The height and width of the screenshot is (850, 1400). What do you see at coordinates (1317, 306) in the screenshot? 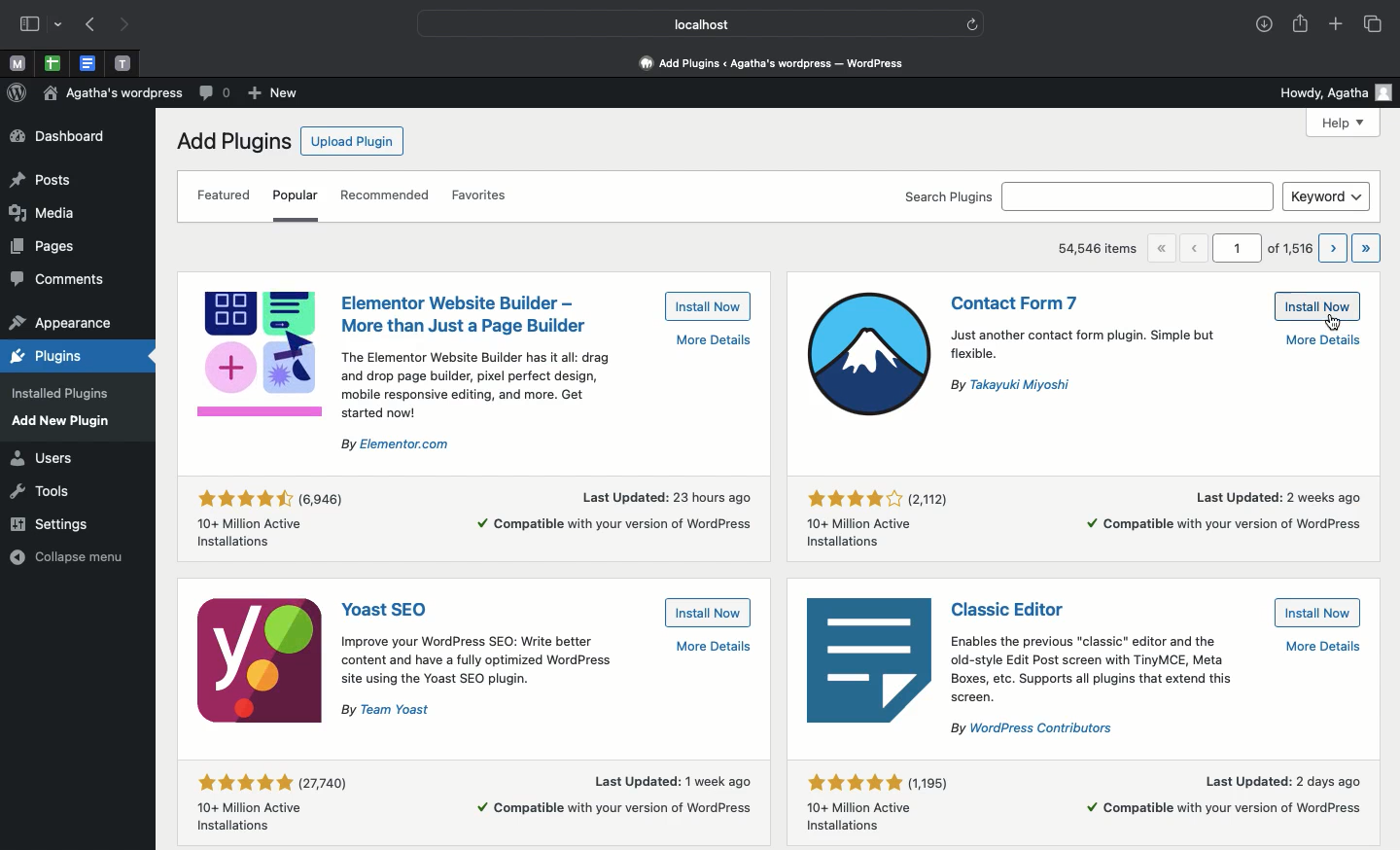
I see `install now` at bounding box center [1317, 306].